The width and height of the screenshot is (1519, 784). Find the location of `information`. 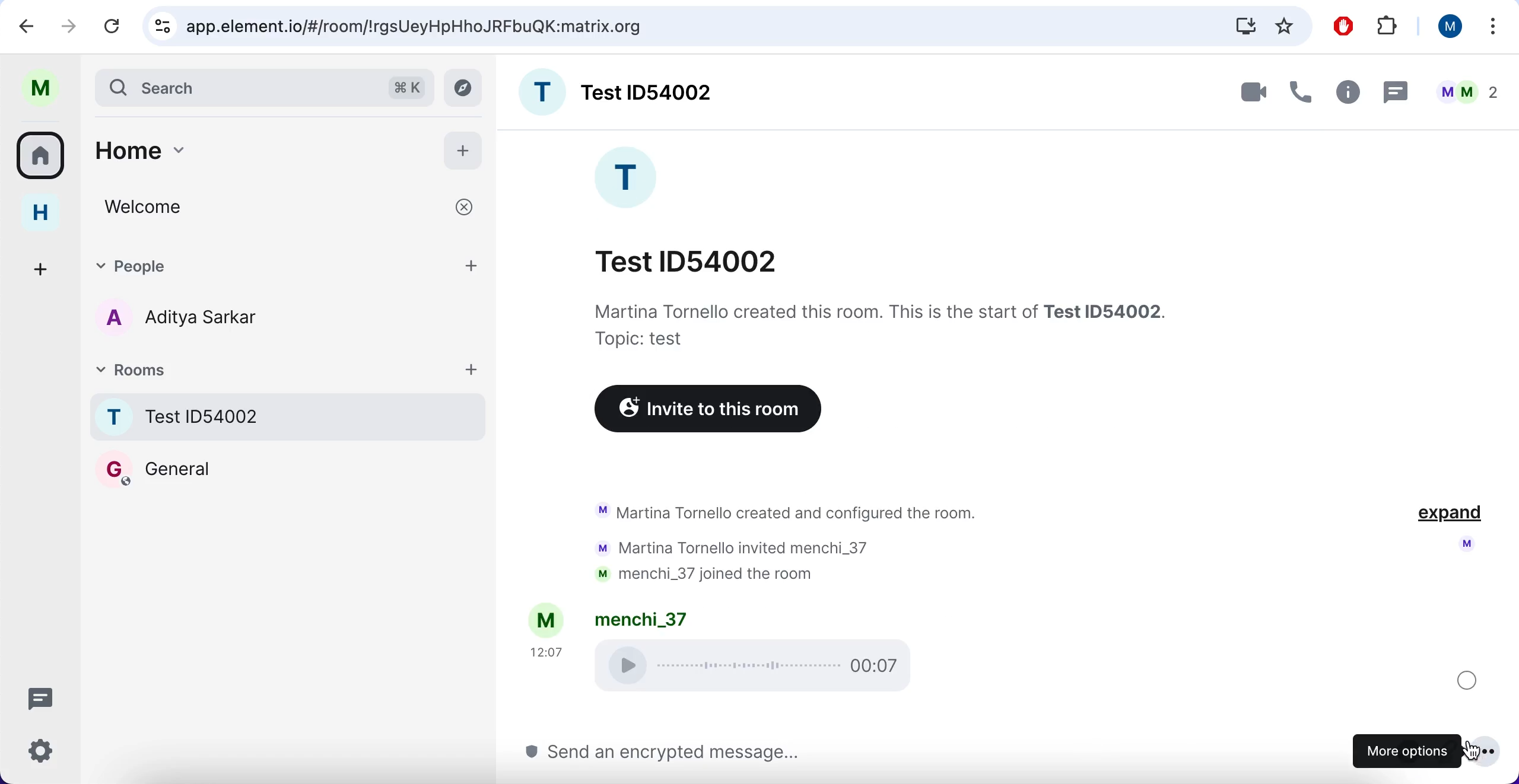

information is located at coordinates (875, 322).